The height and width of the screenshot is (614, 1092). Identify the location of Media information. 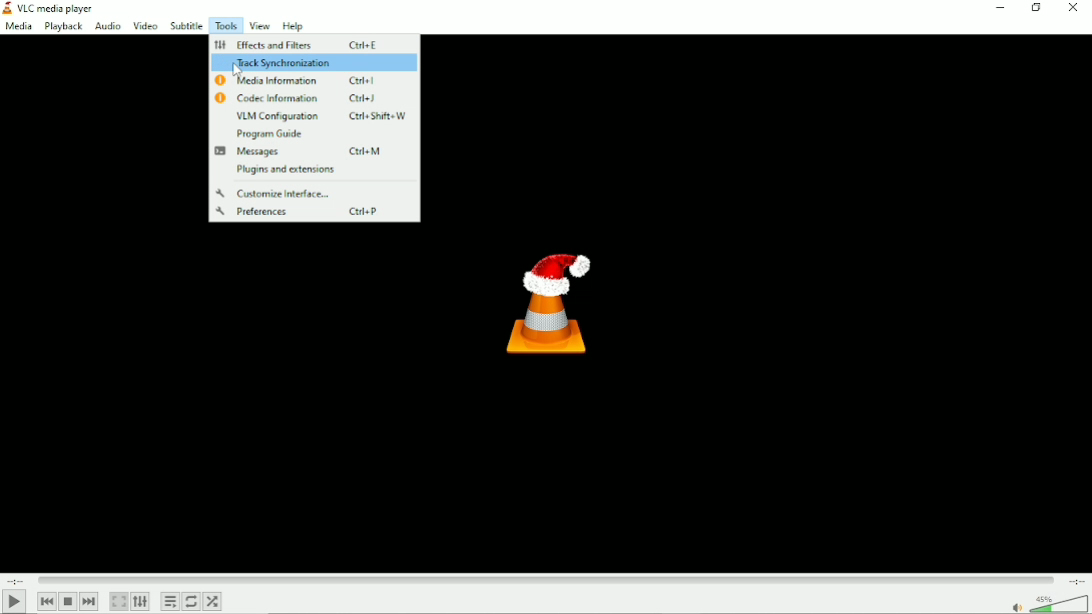
(315, 80).